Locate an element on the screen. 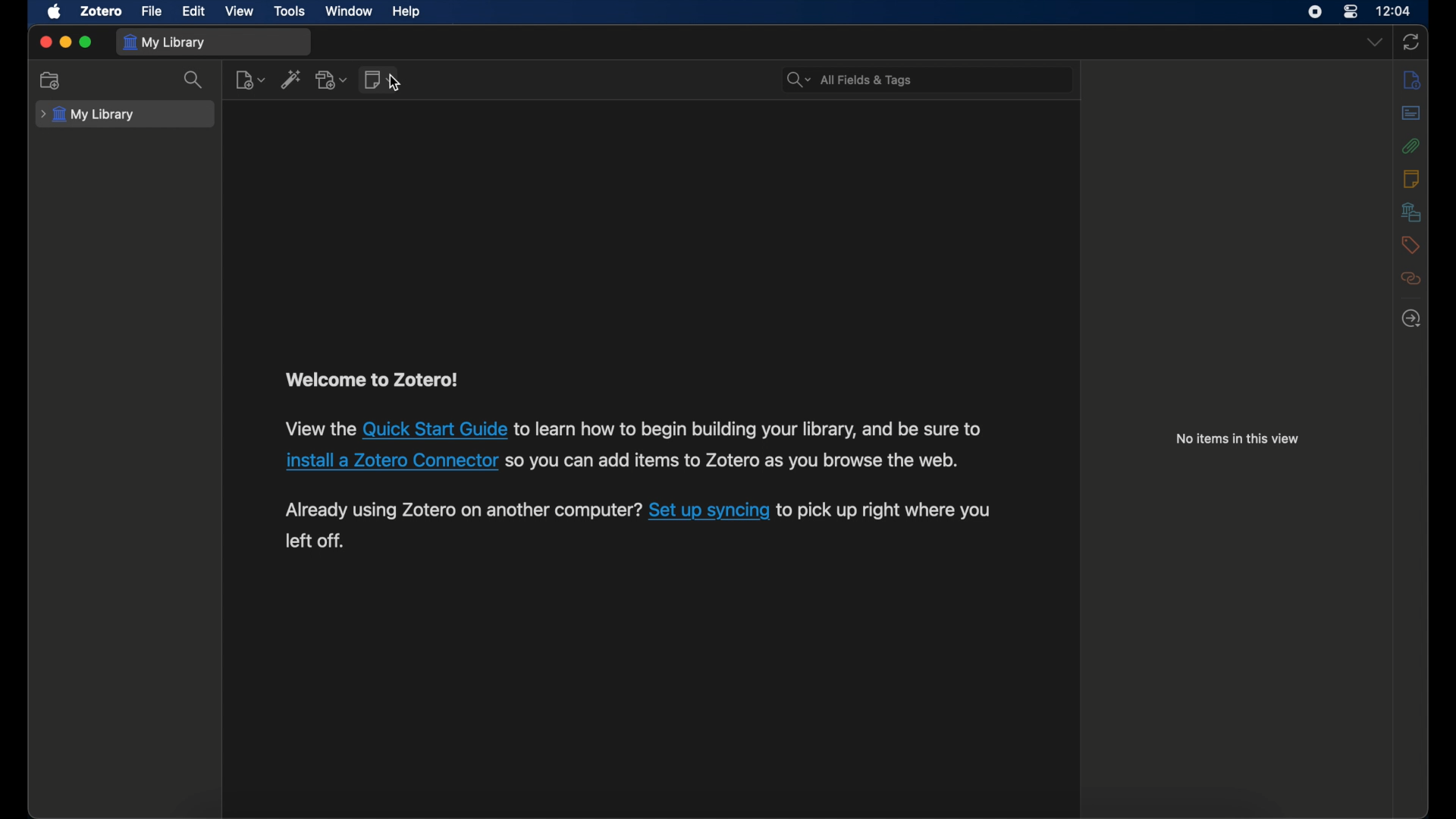  file is located at coordinates (152, 11).